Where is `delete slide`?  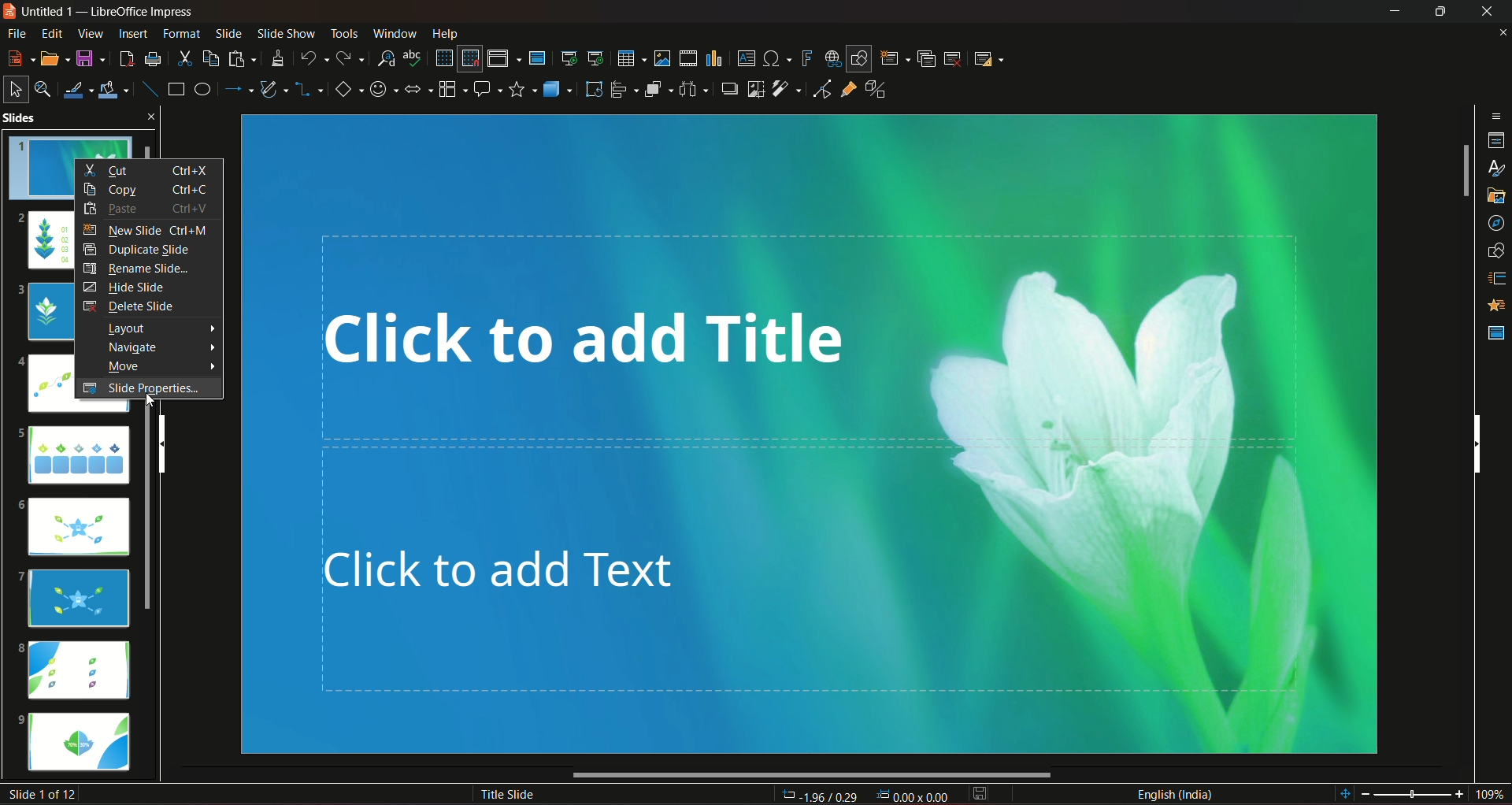
delete slide is located at coordinates (128, 306).